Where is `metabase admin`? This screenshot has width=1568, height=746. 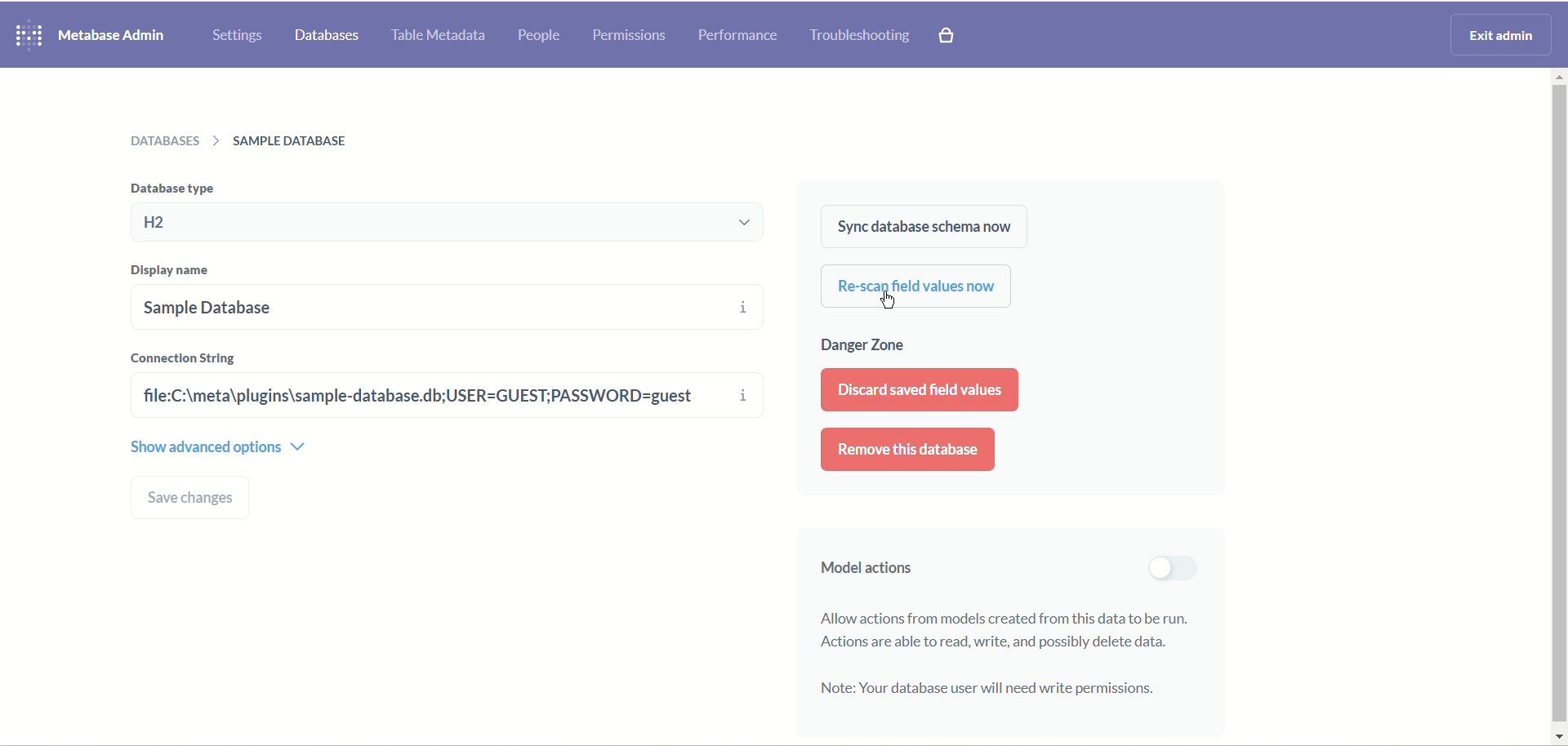
metabase admin is located at coordinates (114, 35).